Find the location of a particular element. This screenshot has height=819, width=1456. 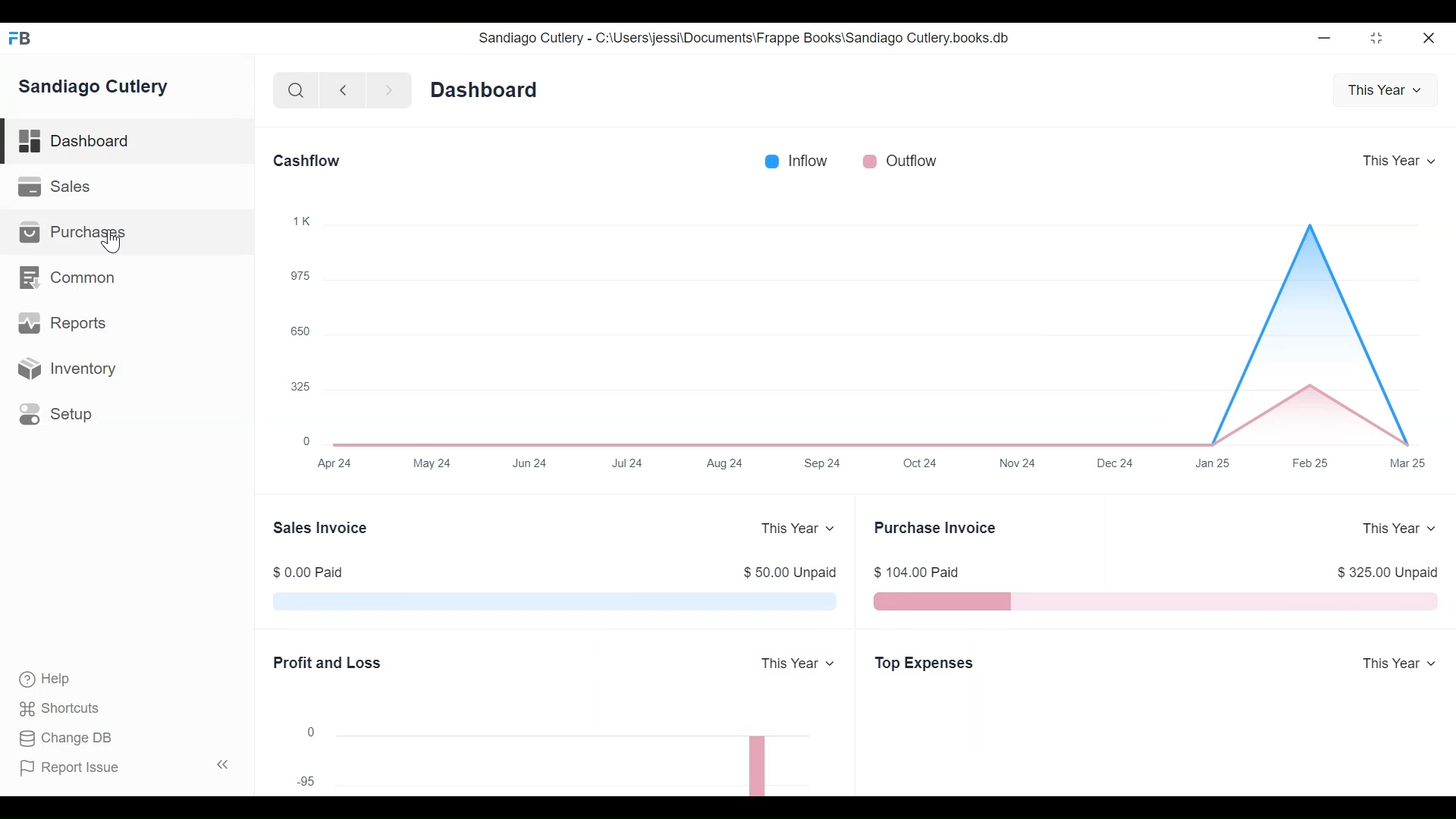

-95 is located at coordinates (307, 780).